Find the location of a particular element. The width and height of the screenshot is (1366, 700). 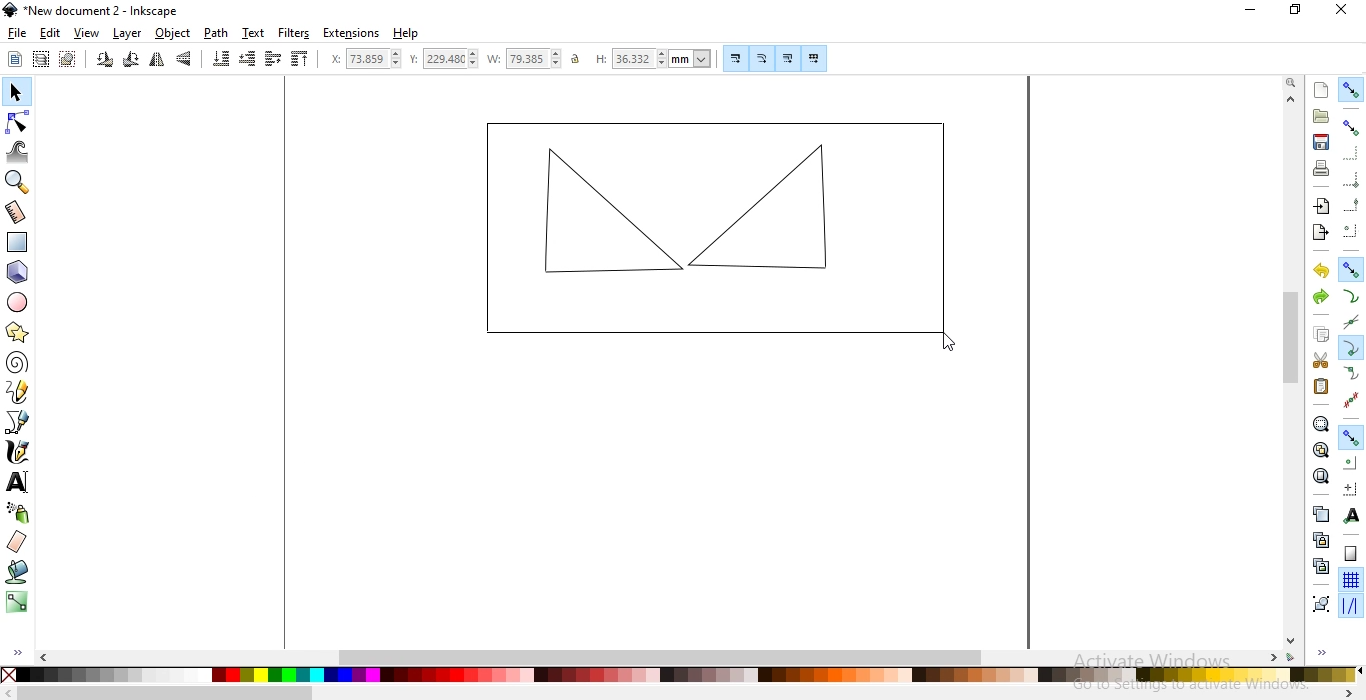

flip horizontally is located at coordinates (155, 60).